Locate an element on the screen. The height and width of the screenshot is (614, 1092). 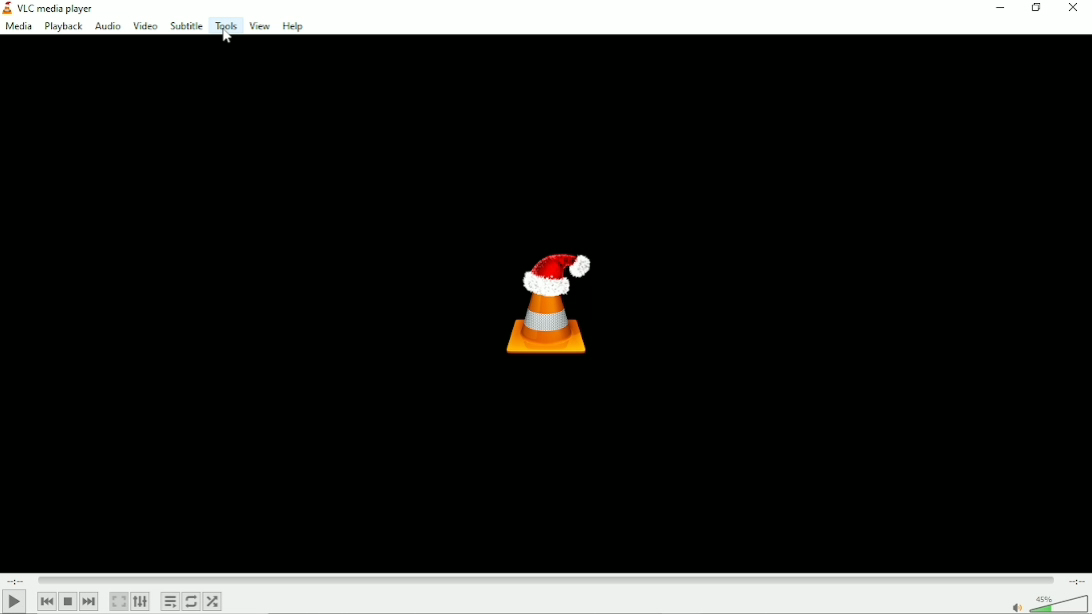
Elapsed time is located at coordinates (17, 579).